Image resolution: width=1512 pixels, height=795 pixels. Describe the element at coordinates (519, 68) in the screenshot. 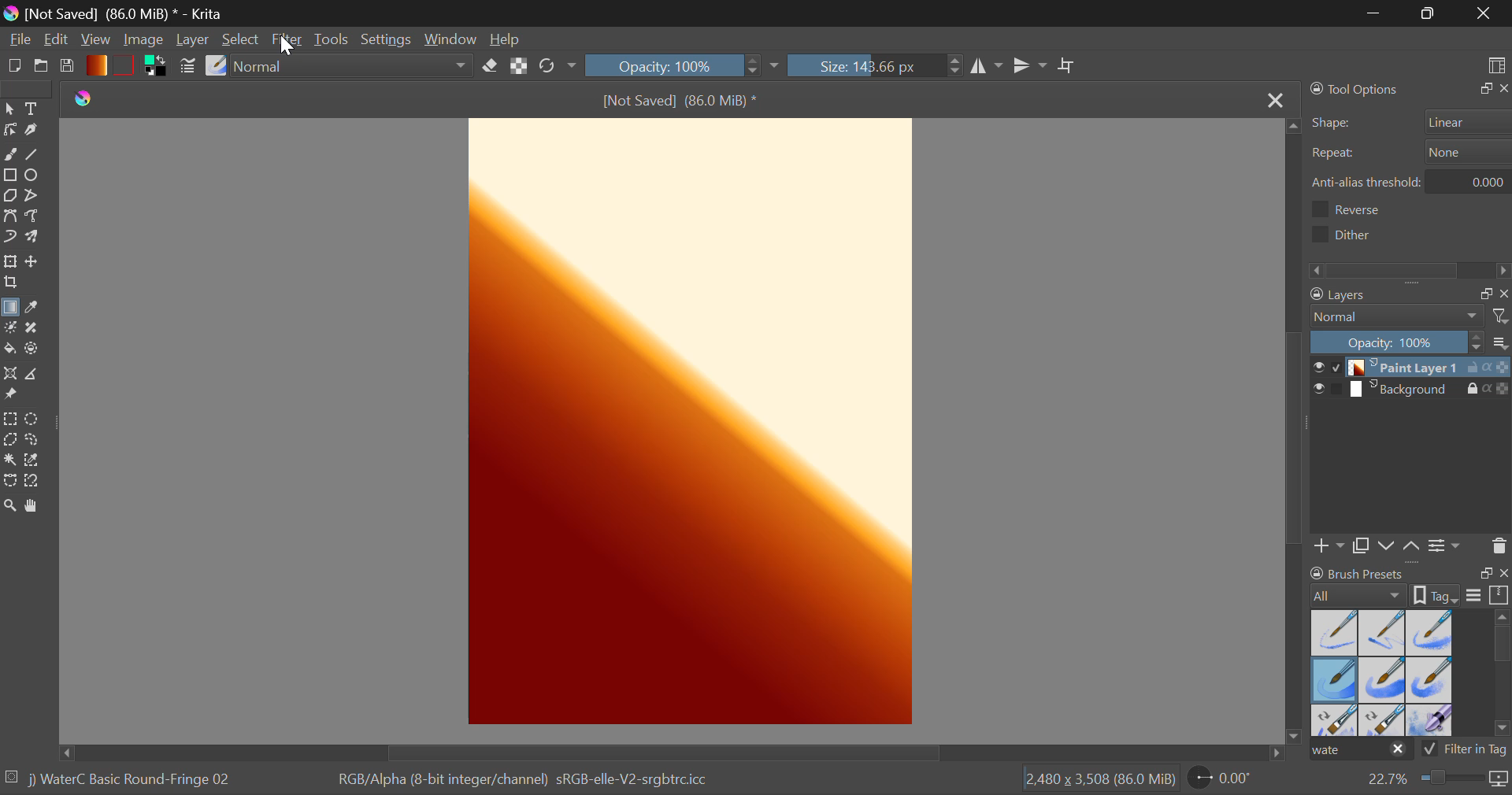

I see `Lock Alpha` at that location.